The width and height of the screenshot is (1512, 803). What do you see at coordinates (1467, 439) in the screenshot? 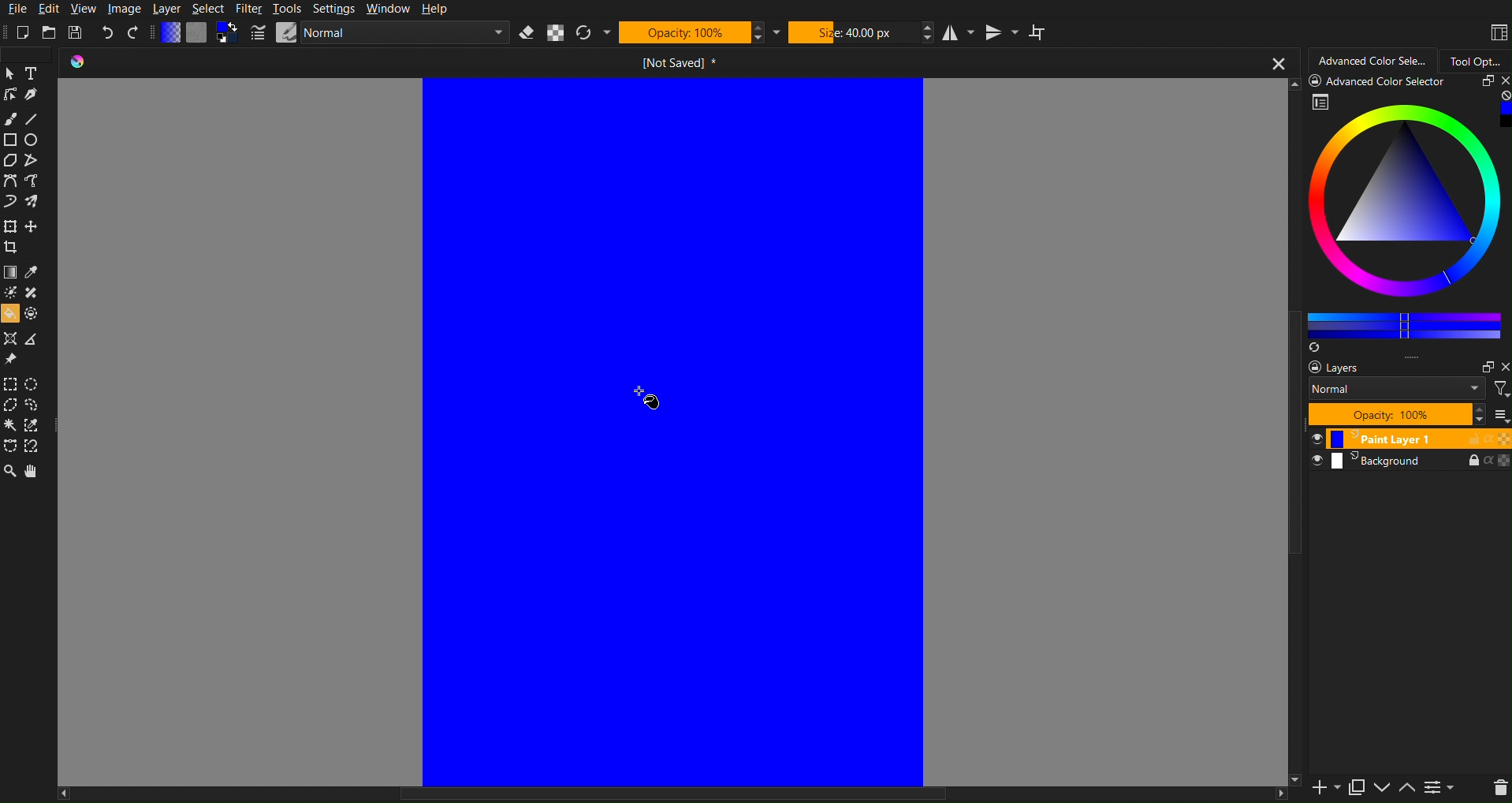
I see `lock` at bounding box center [1467, 439].